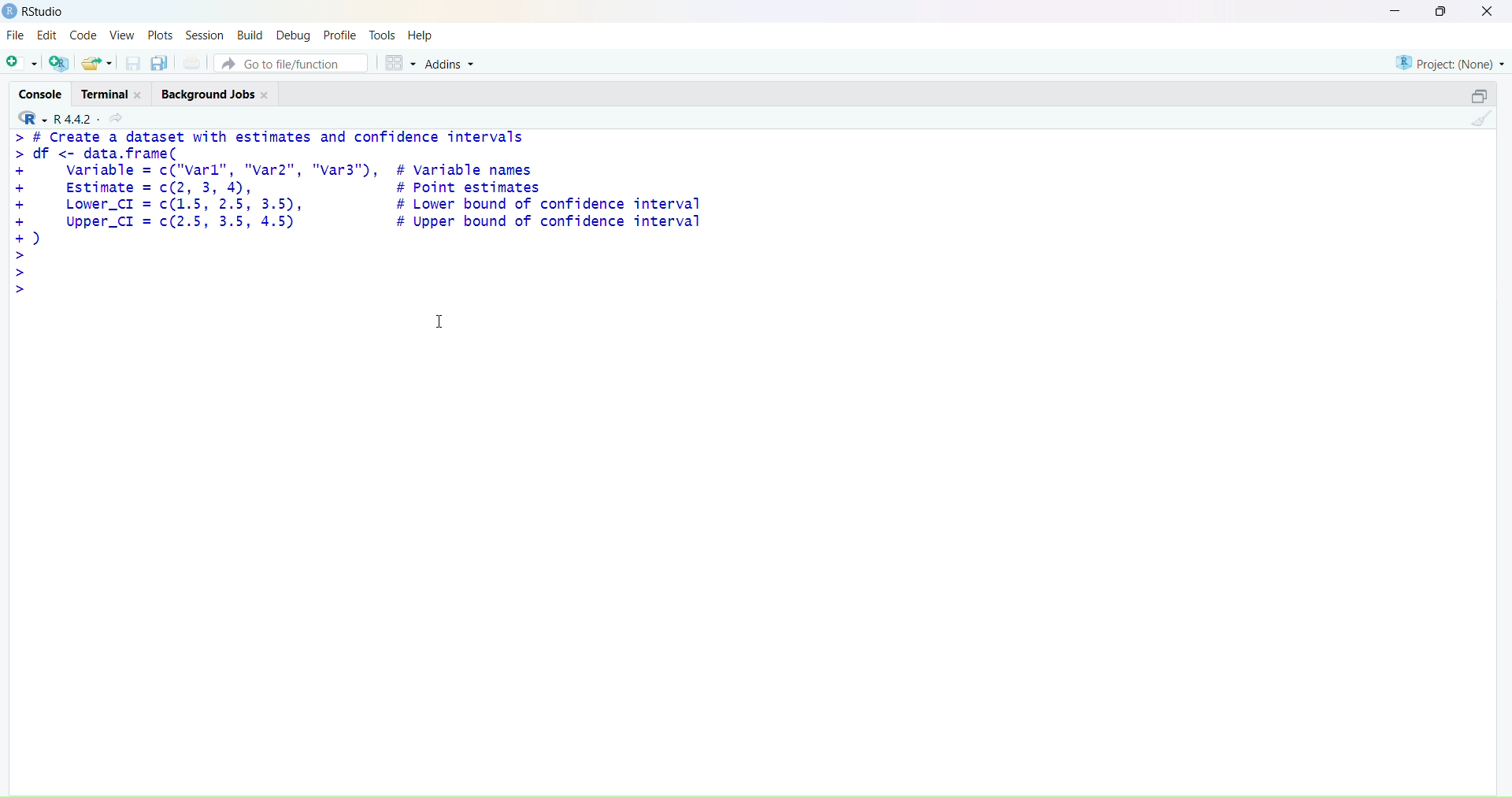 The image size is (1512, 797). What do you see at coordinates (82, 35) in the screenshot?
I see `Code` at bounding box center [82, 35].